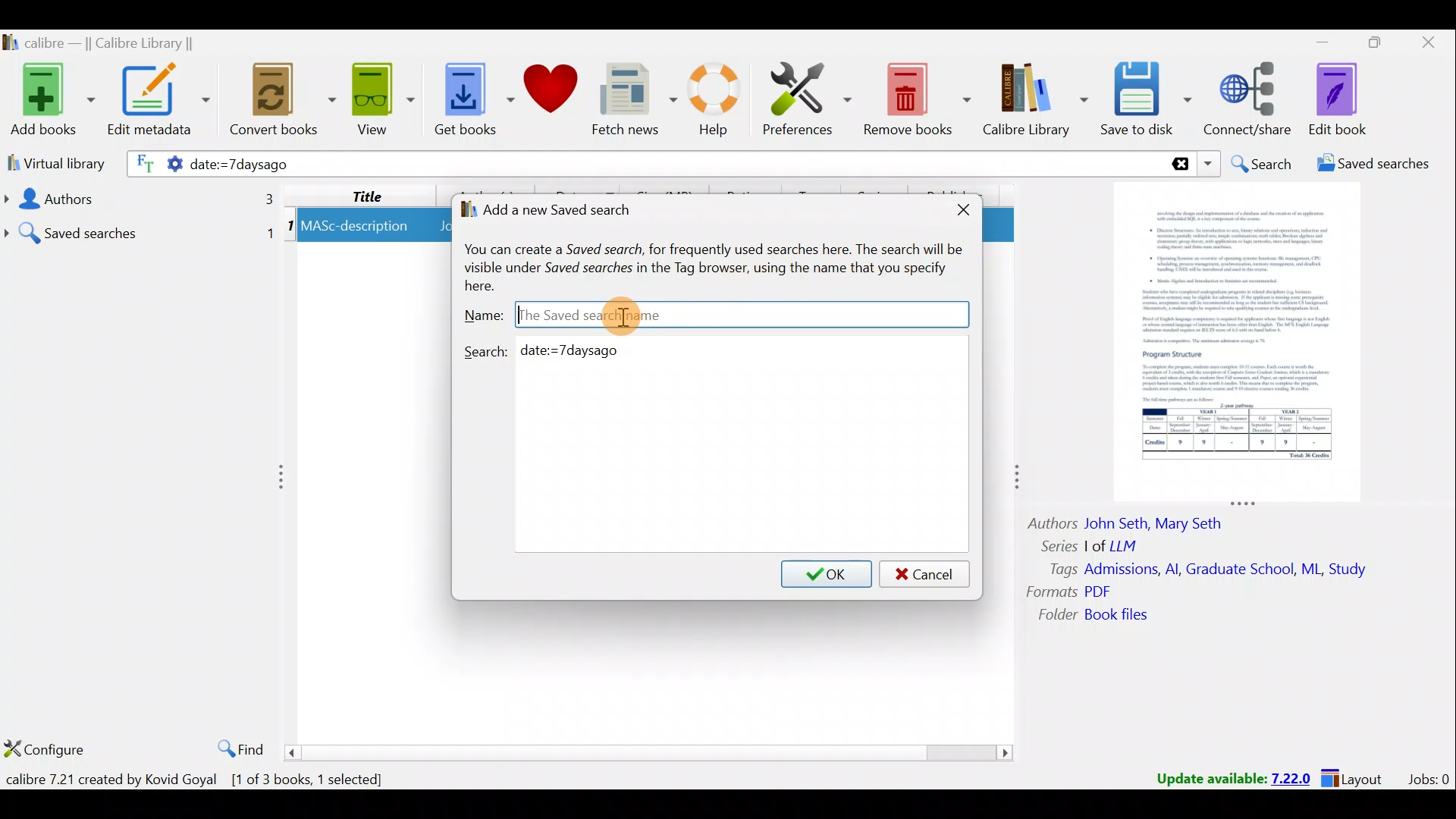 This screenshot has width=1456, height=819. I want to click on Series | of LLM, so click(1097, 544).